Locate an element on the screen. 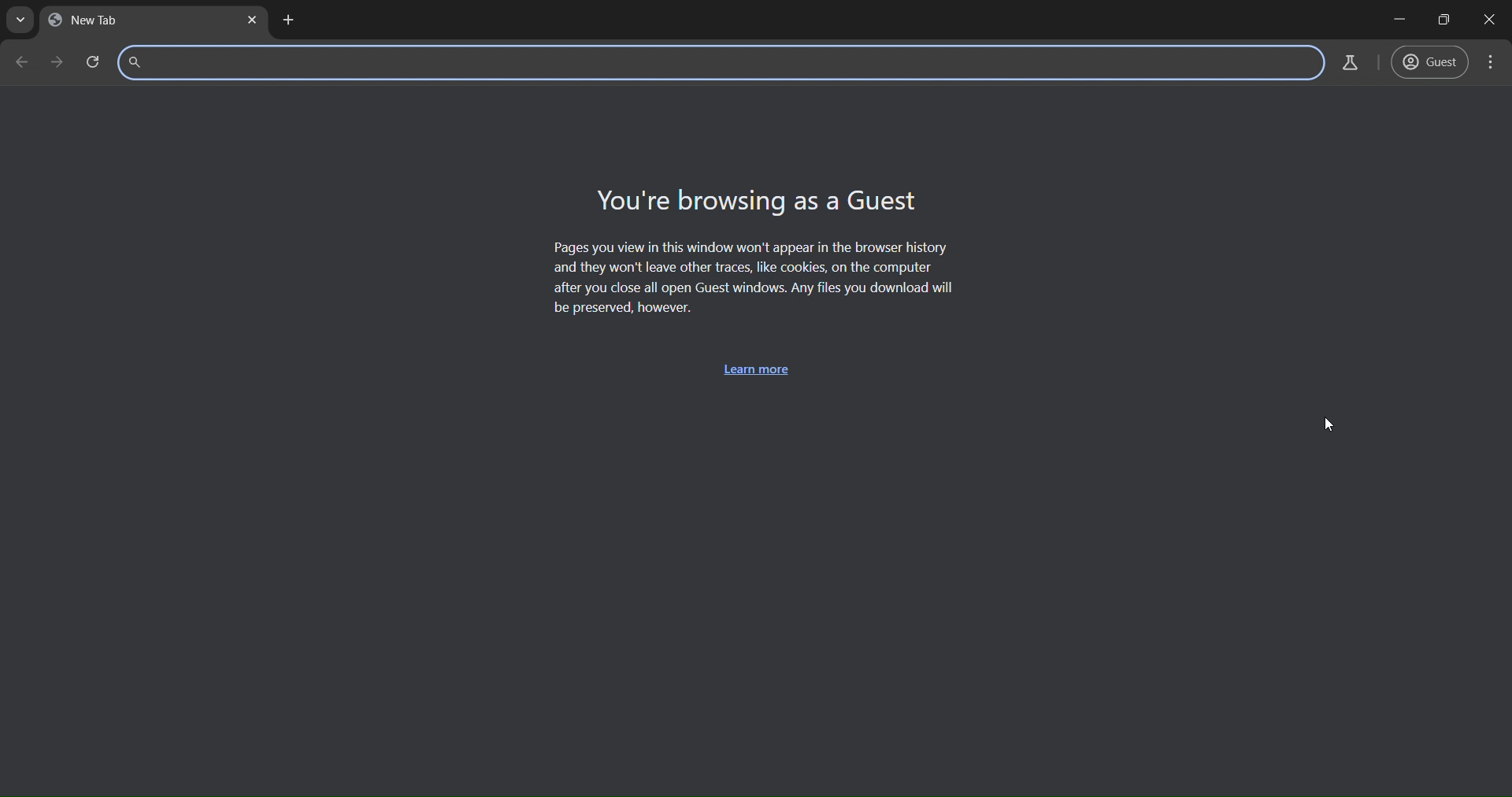 This screenshot has width=1512, height=797. guest account is located at coordinates (1431, 63).